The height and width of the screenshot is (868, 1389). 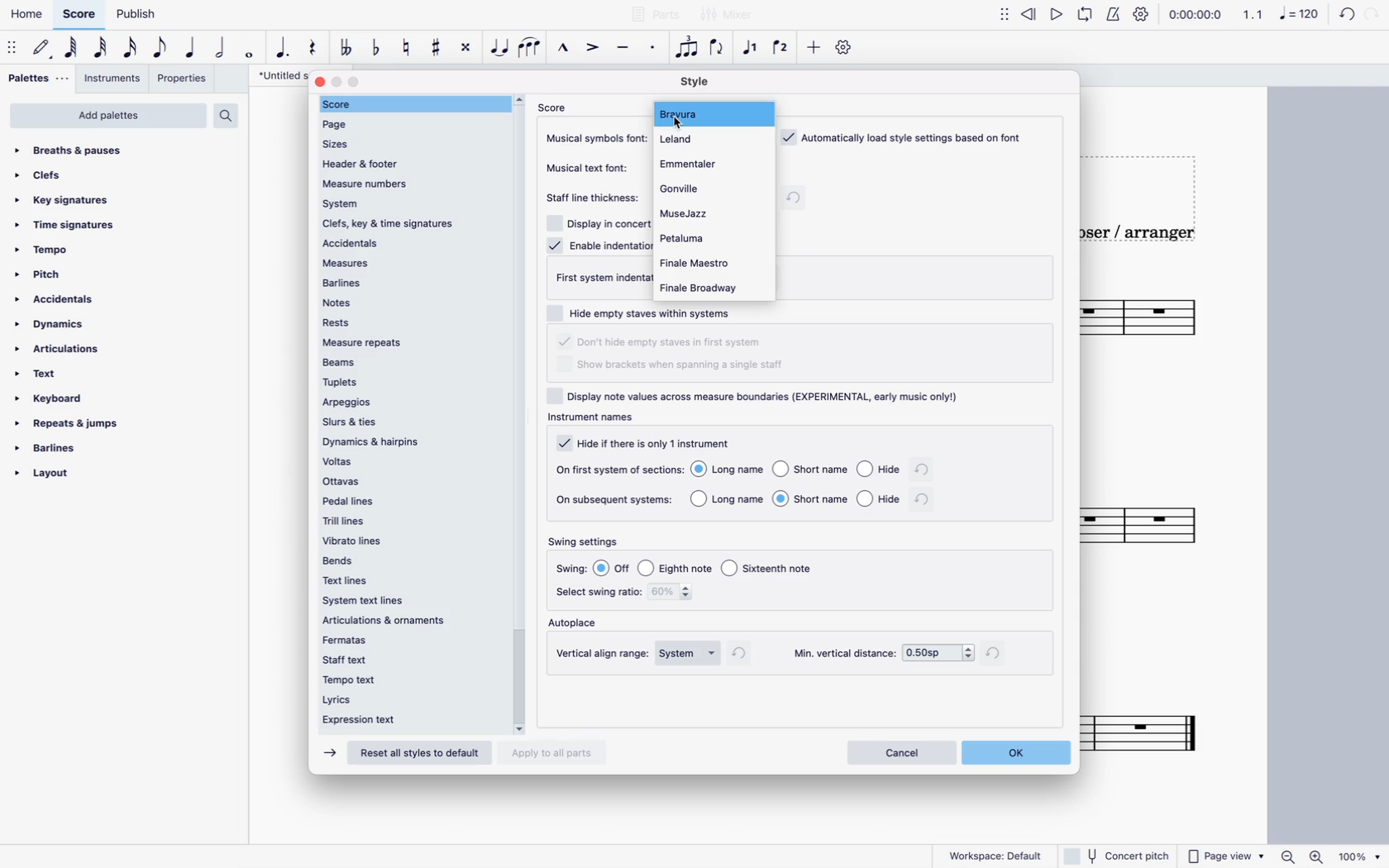 What do you see at coordinates (411, 223) in the screenshot?
I see `clefs, key & time signatures` at bounding box center [411, 223].